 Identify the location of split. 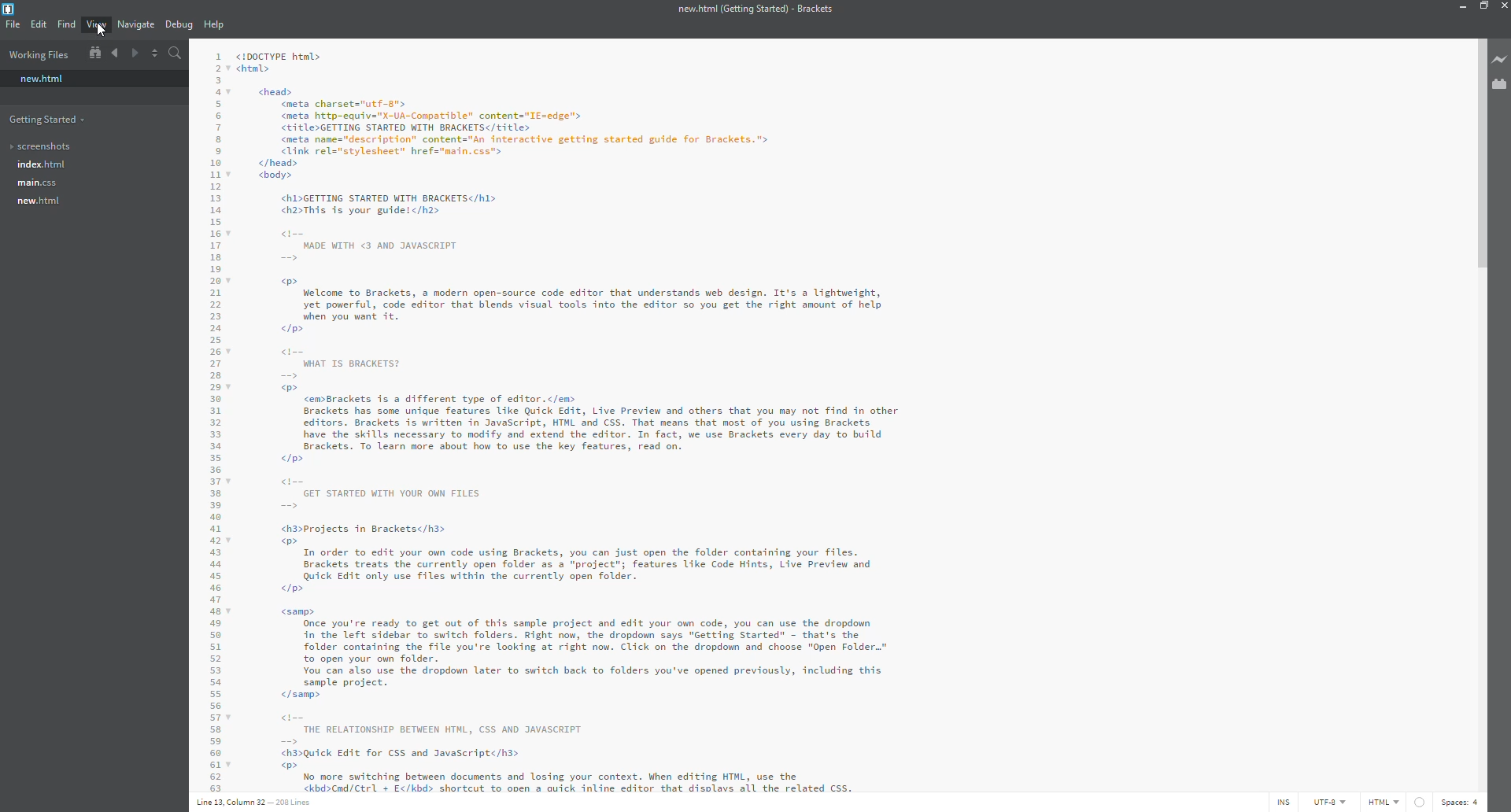
(153, 53).